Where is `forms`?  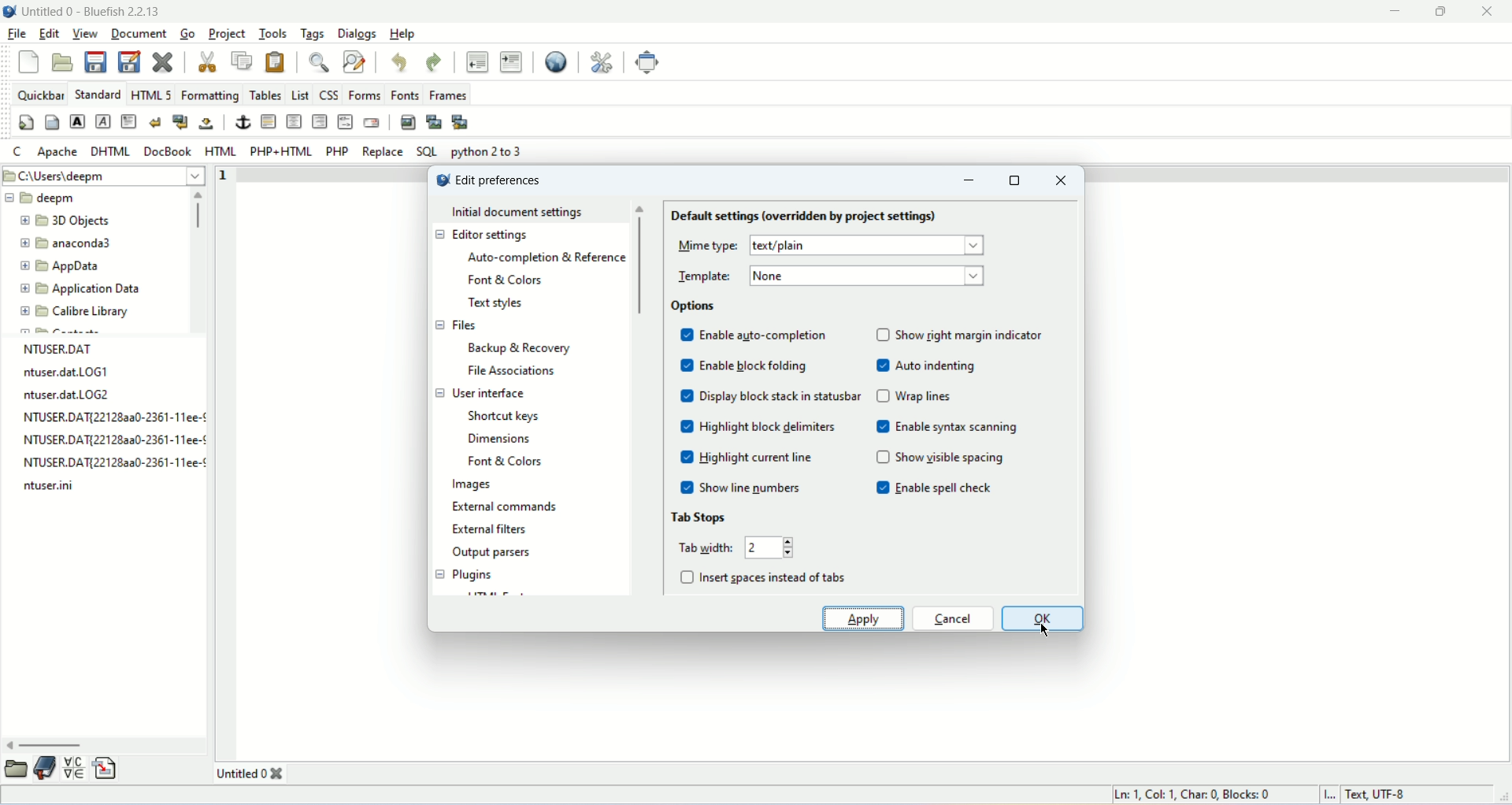 forms is located at coordinates (364, 94).